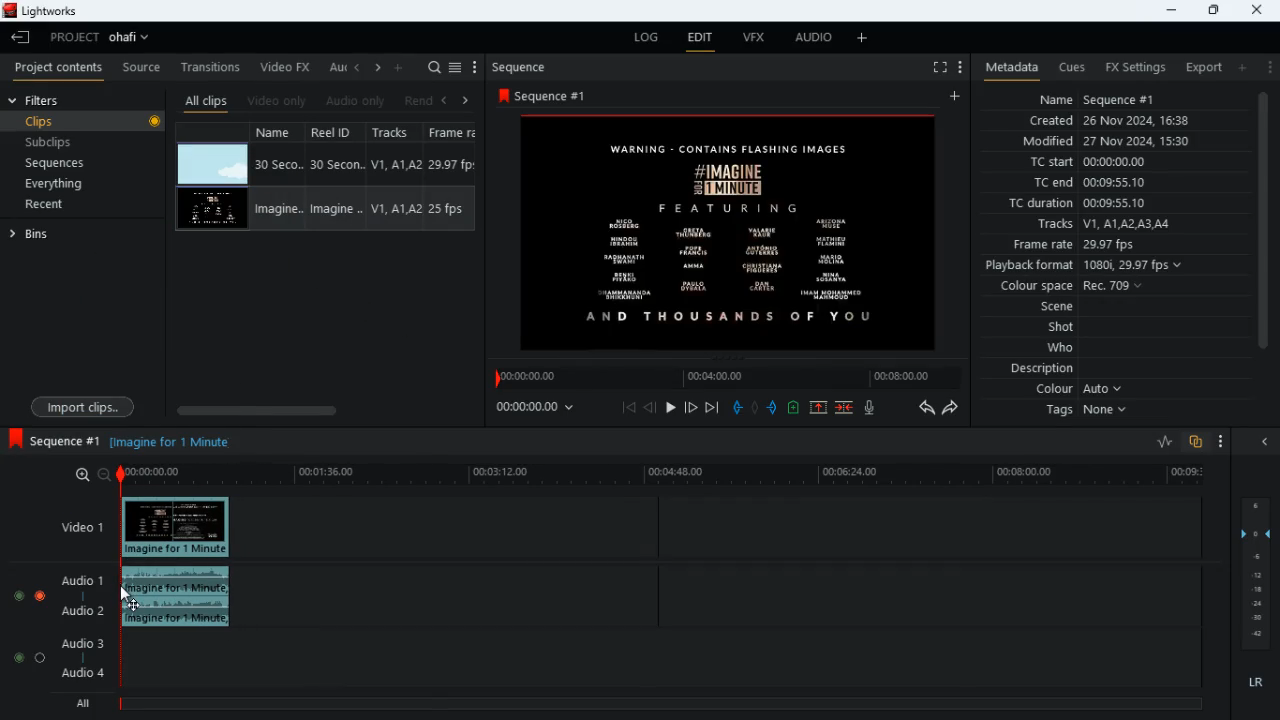  I want to click on scroll, so click(1262, 231).